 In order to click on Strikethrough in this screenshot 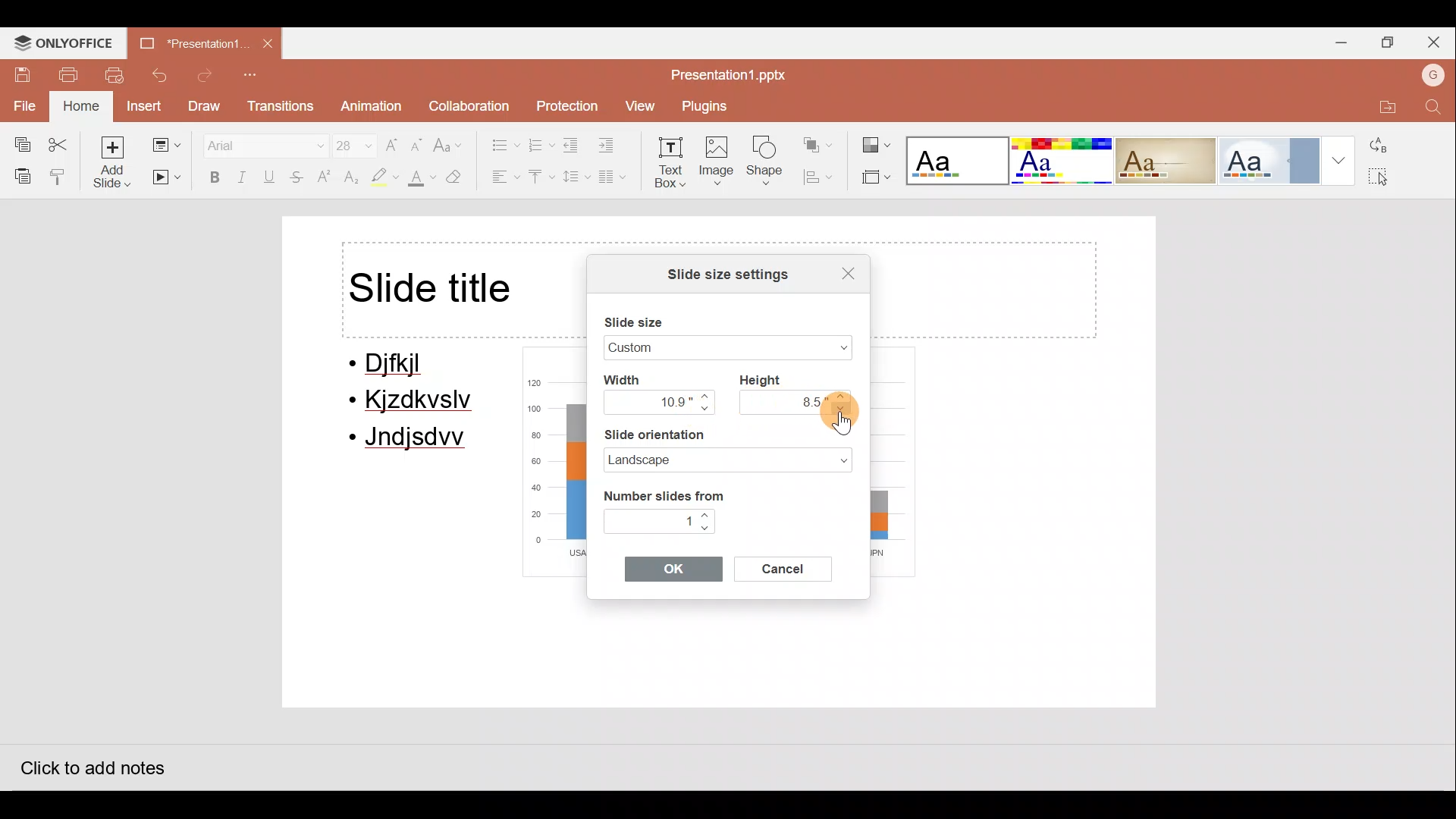, I will do `click(298, 179)`.